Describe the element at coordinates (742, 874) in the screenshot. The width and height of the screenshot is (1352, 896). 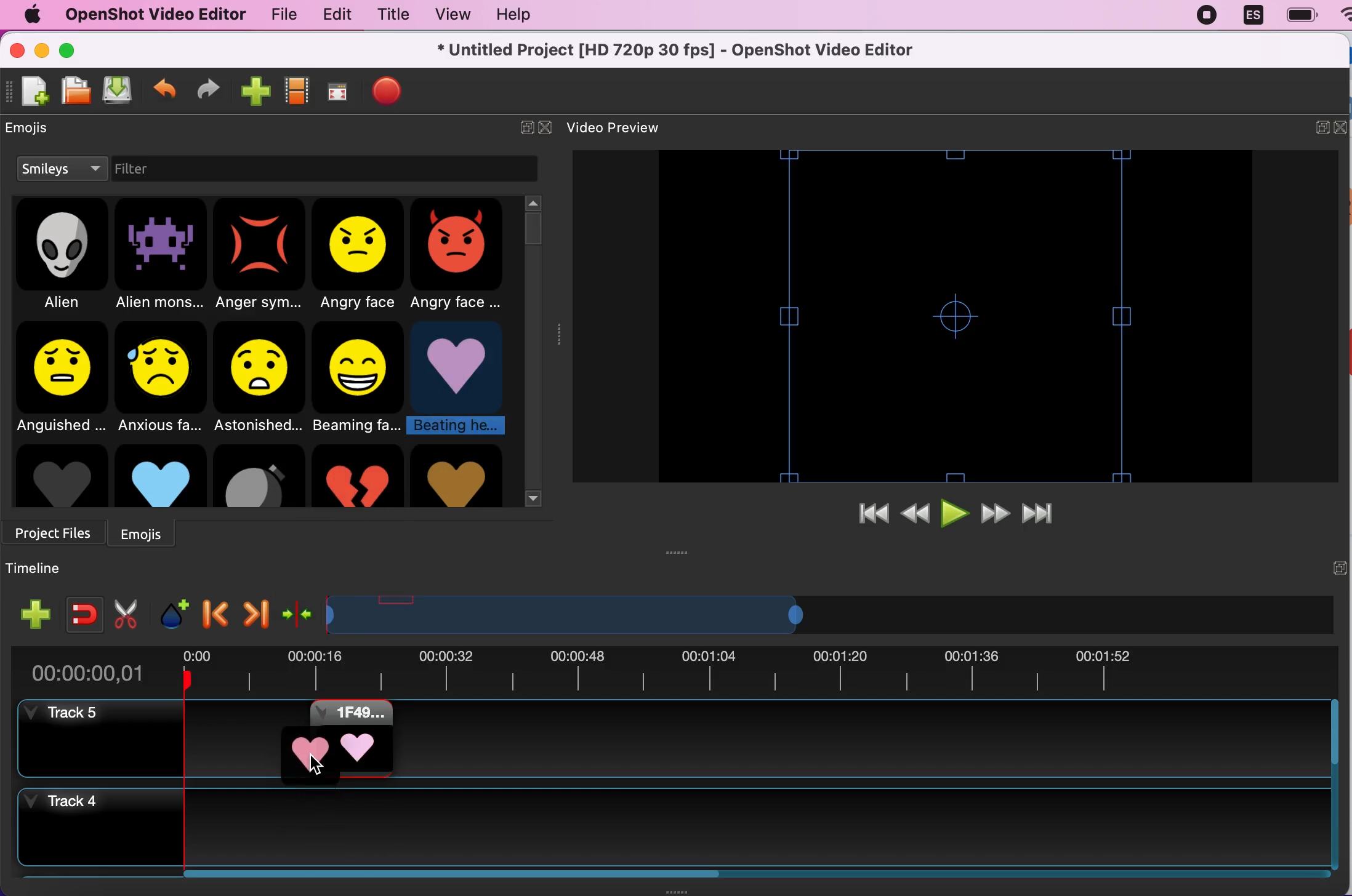
I see `Horizontal slide bar` at that location.